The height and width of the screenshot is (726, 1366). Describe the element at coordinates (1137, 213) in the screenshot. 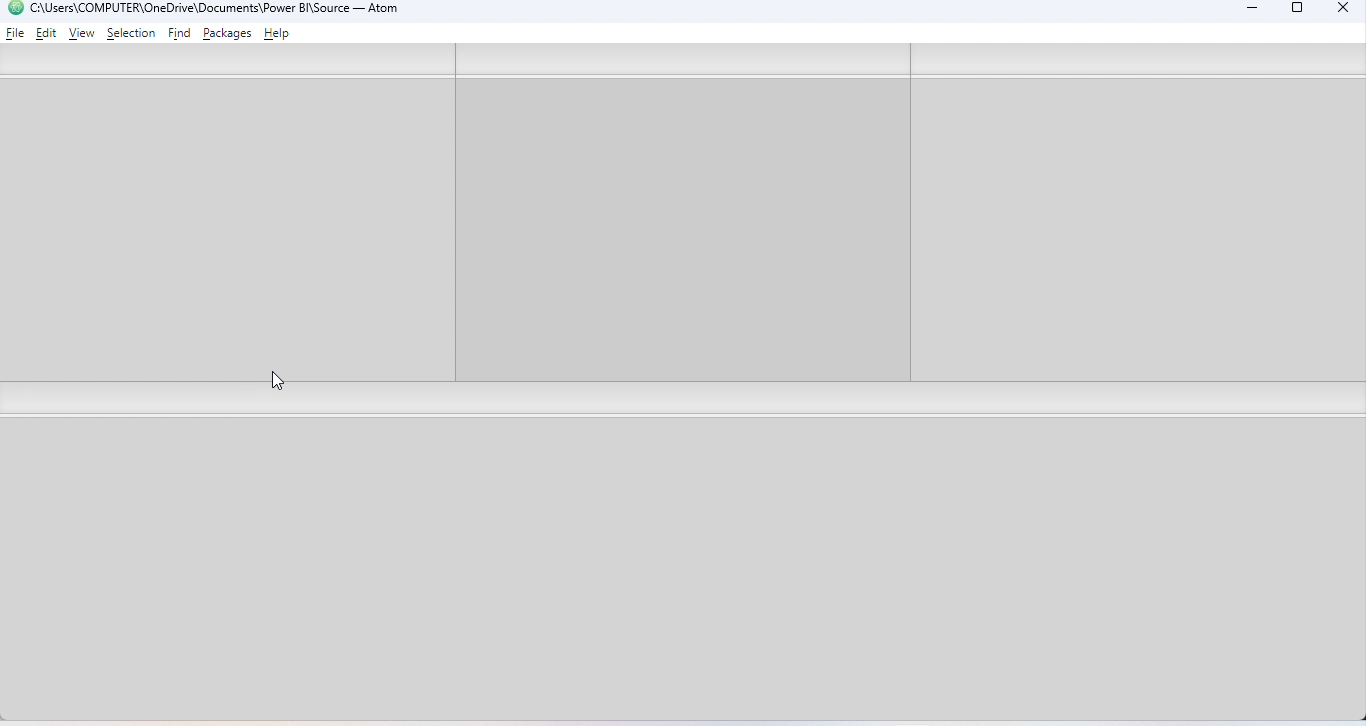

I see `Pane 3` at that location.